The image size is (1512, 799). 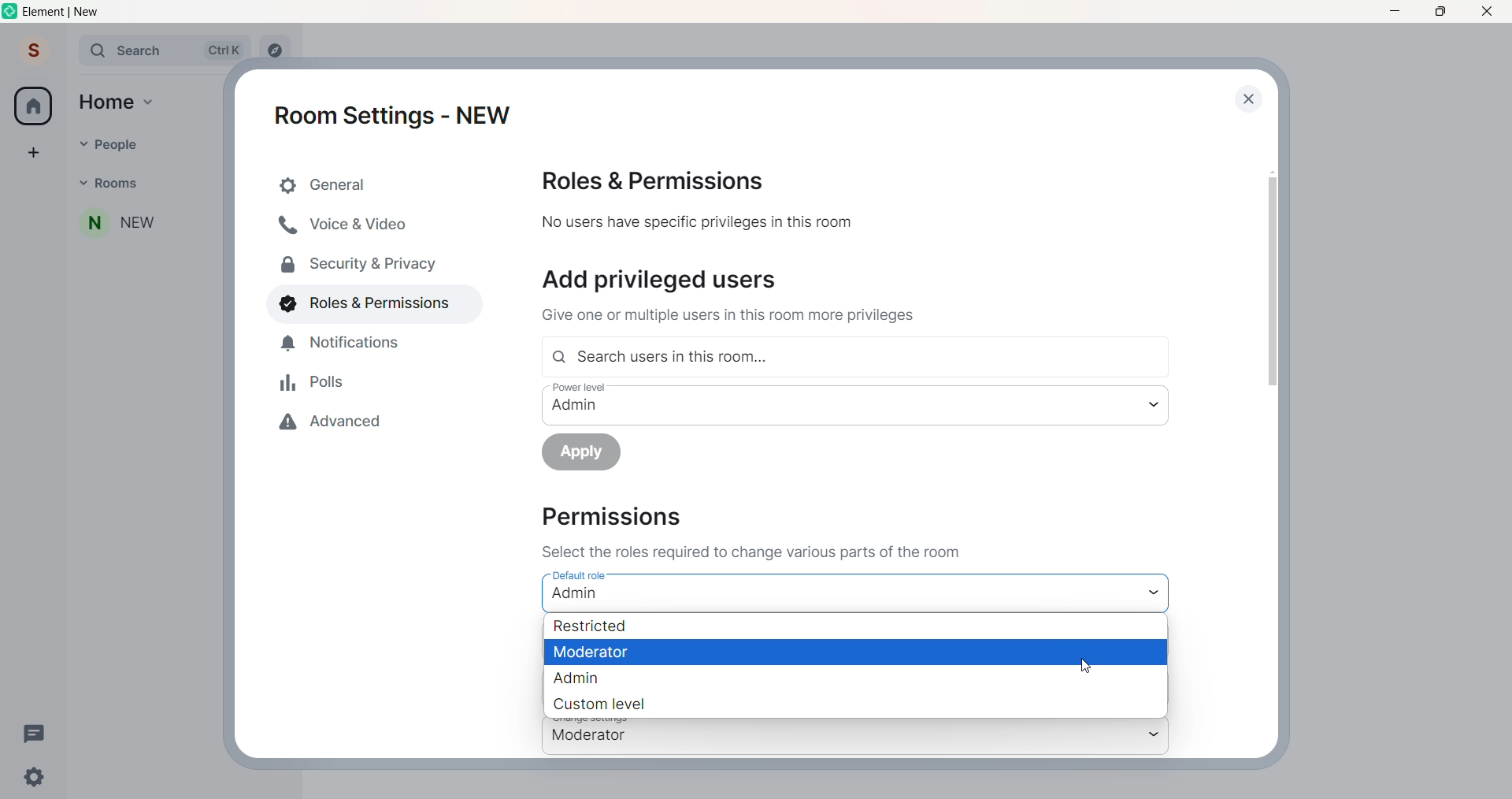 I want to click on search user, so click(x=860, y=355).